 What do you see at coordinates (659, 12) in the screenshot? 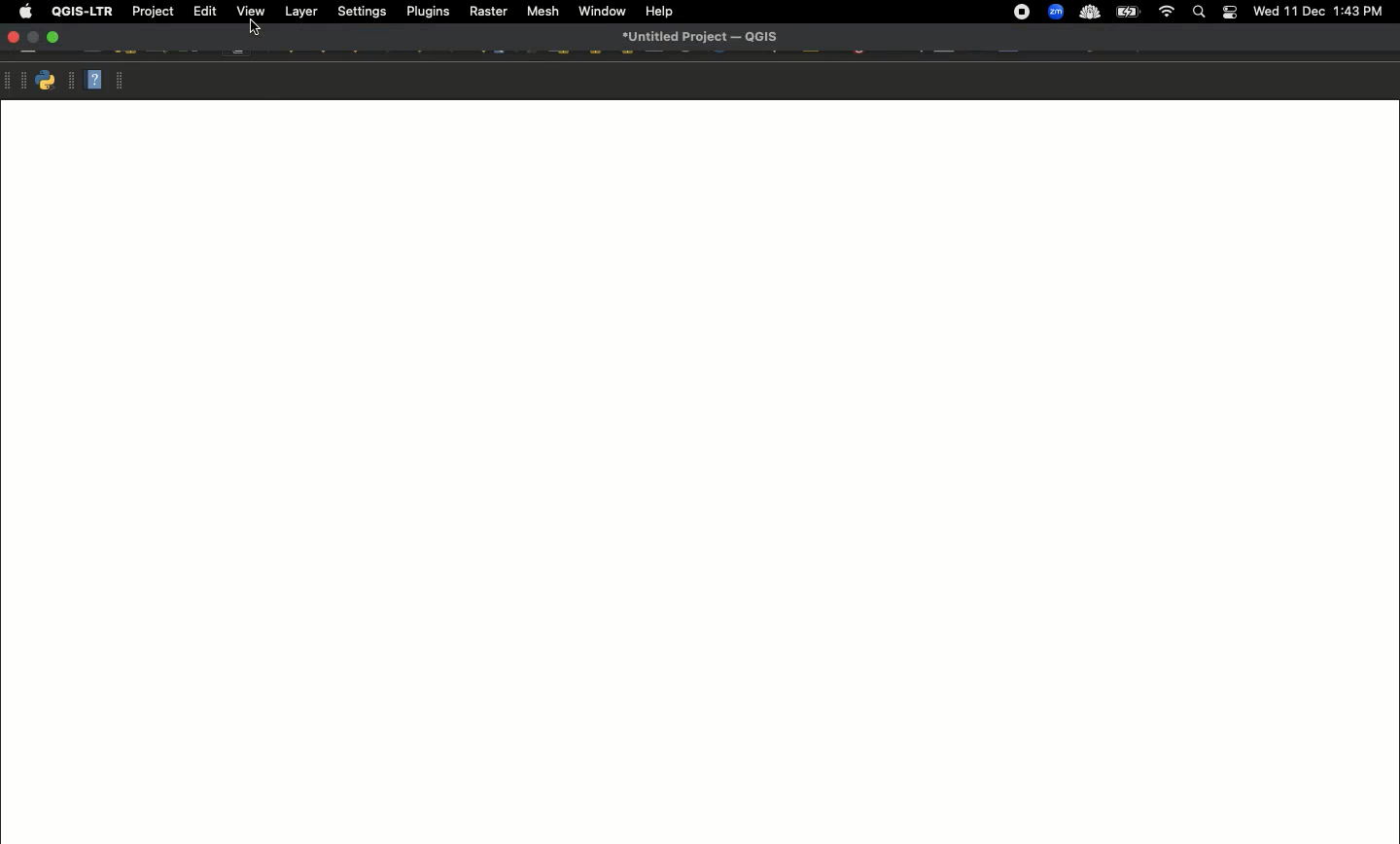
I see `Help` at bounding box center [659, 12].